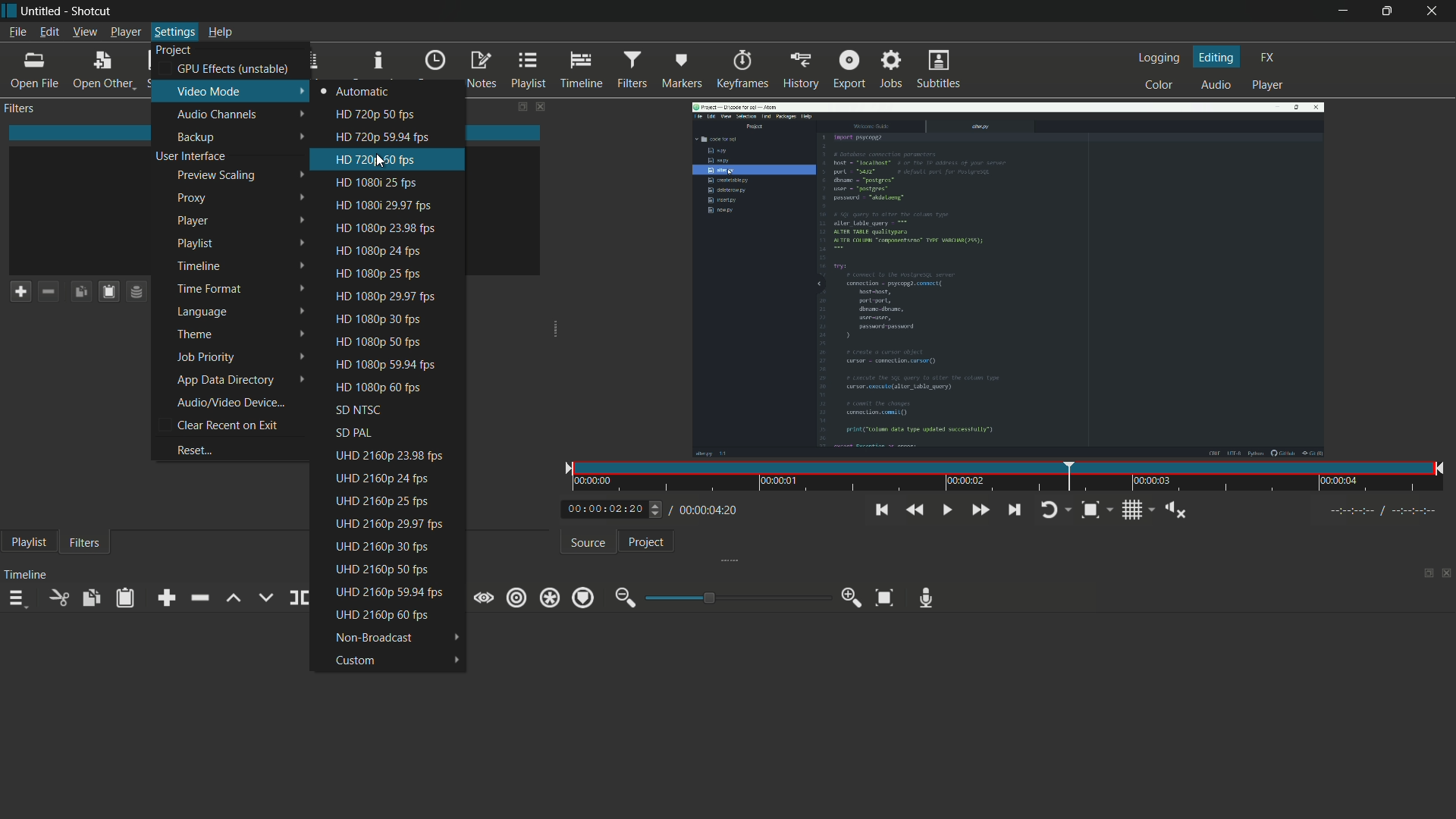  What do you see at coordinates (399, 160) in the screenshot?
I see `hd 720p 60 fps` at bounding box center [399, 160].